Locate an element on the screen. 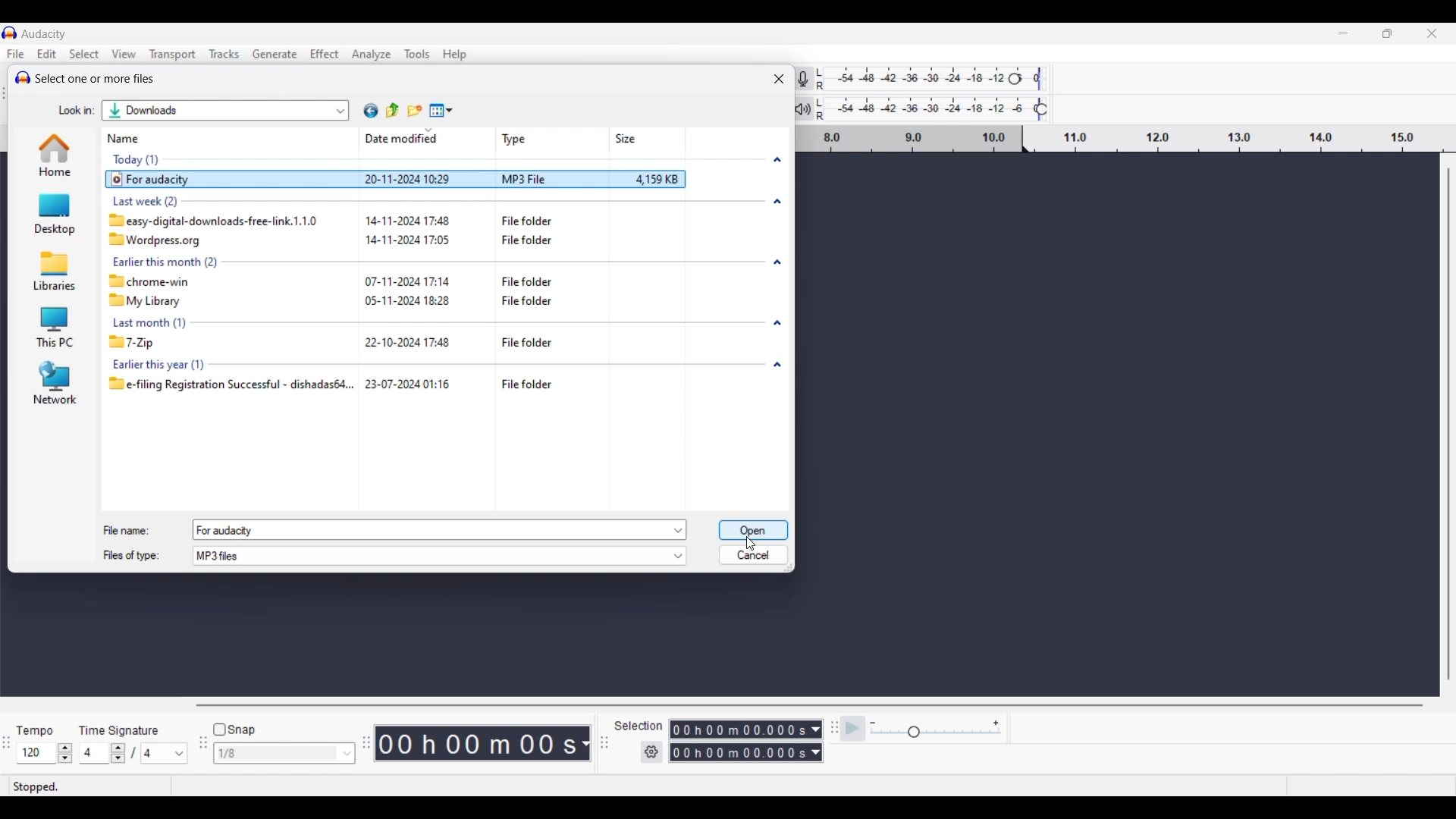  Scale to measure duration of recorded audio is located at coordinates (1129, 140).